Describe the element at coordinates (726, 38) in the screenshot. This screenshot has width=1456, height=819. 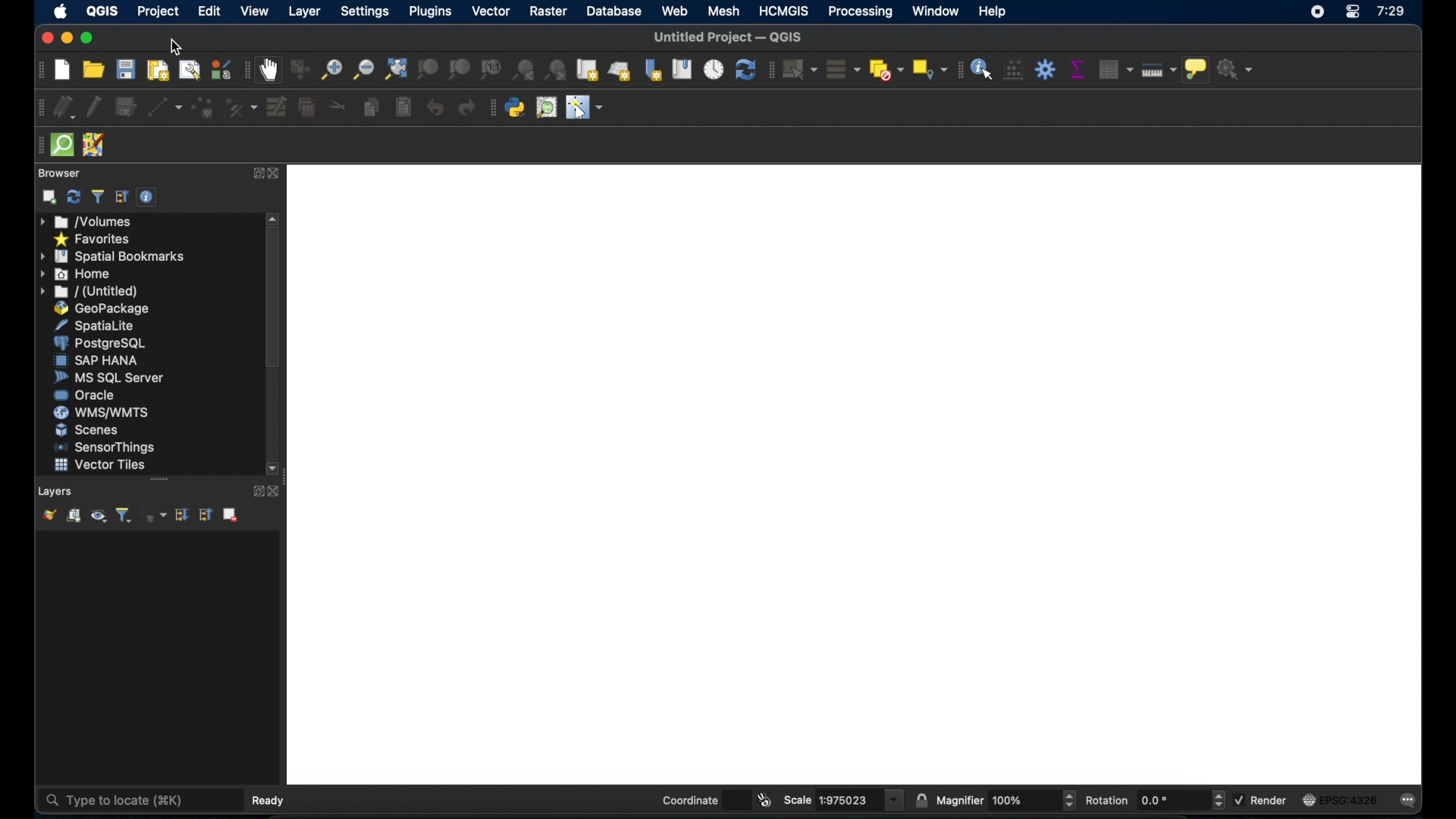
I see `untitled project -QGIS` at that location.